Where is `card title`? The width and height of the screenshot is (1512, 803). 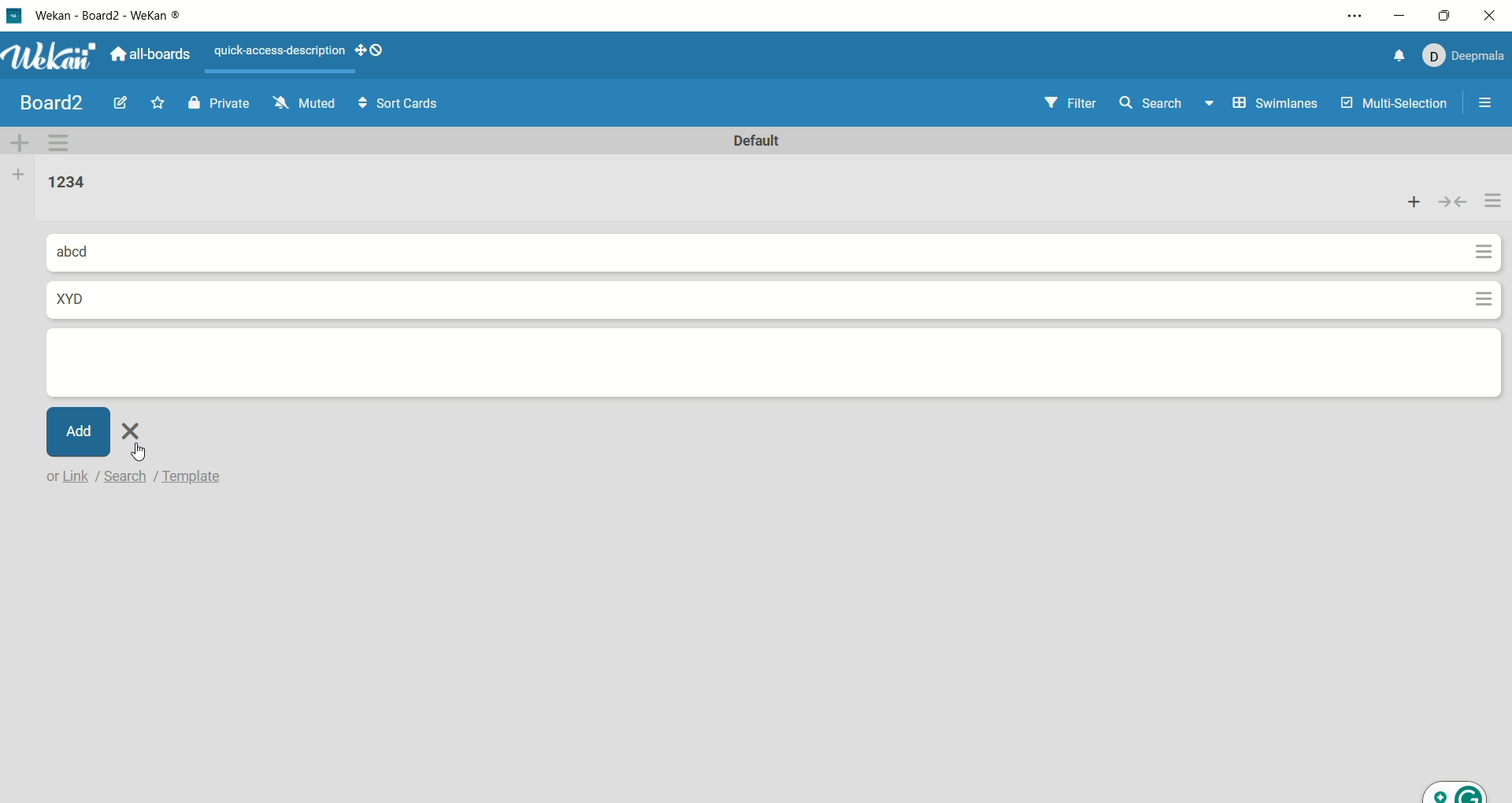
card title is located at coordinates (84, 251).